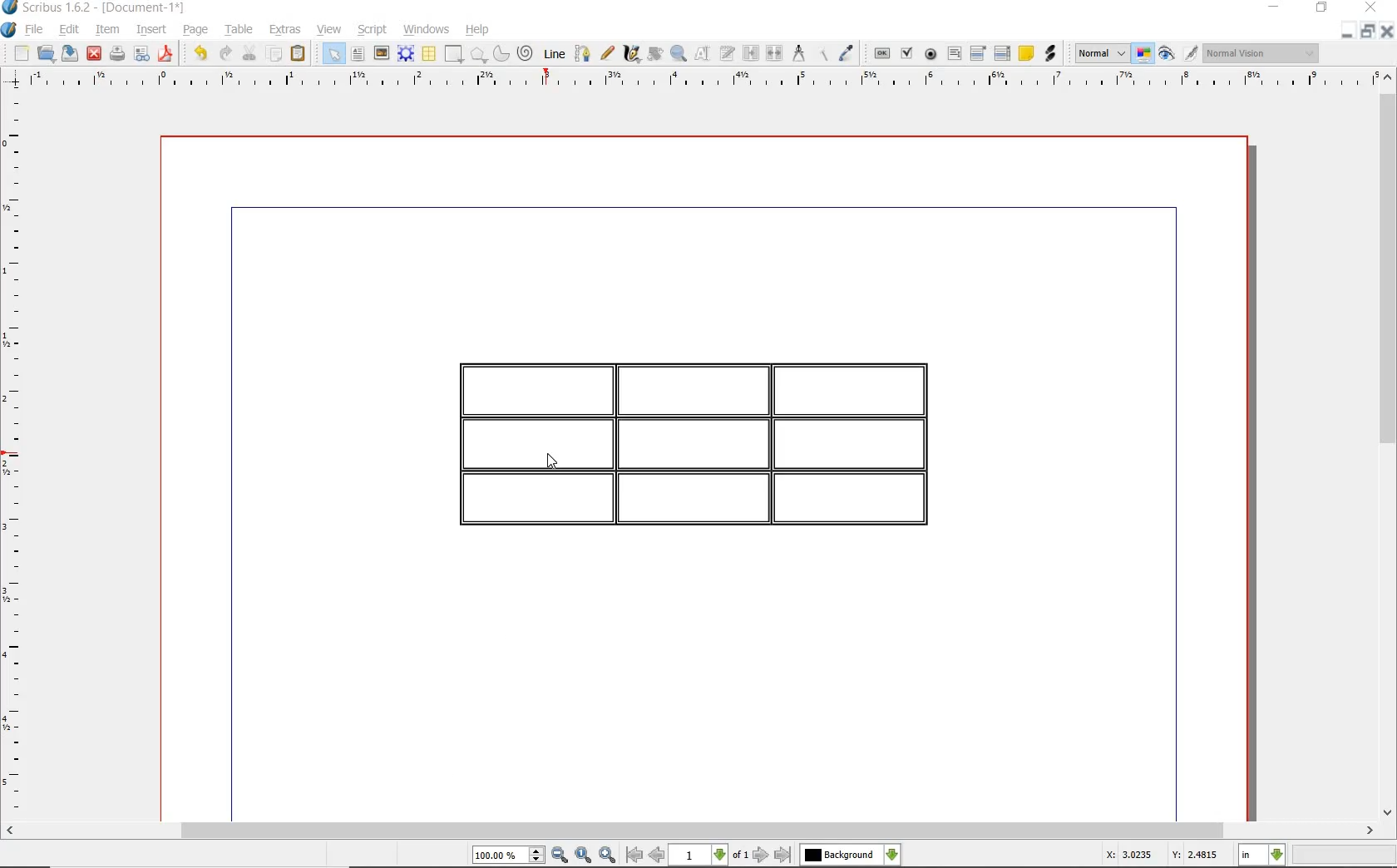 The image size is (1397, 868). What do you see at coordinates (20, 53) in the screenshot?
I see `new` at bounding box center [20, 53].